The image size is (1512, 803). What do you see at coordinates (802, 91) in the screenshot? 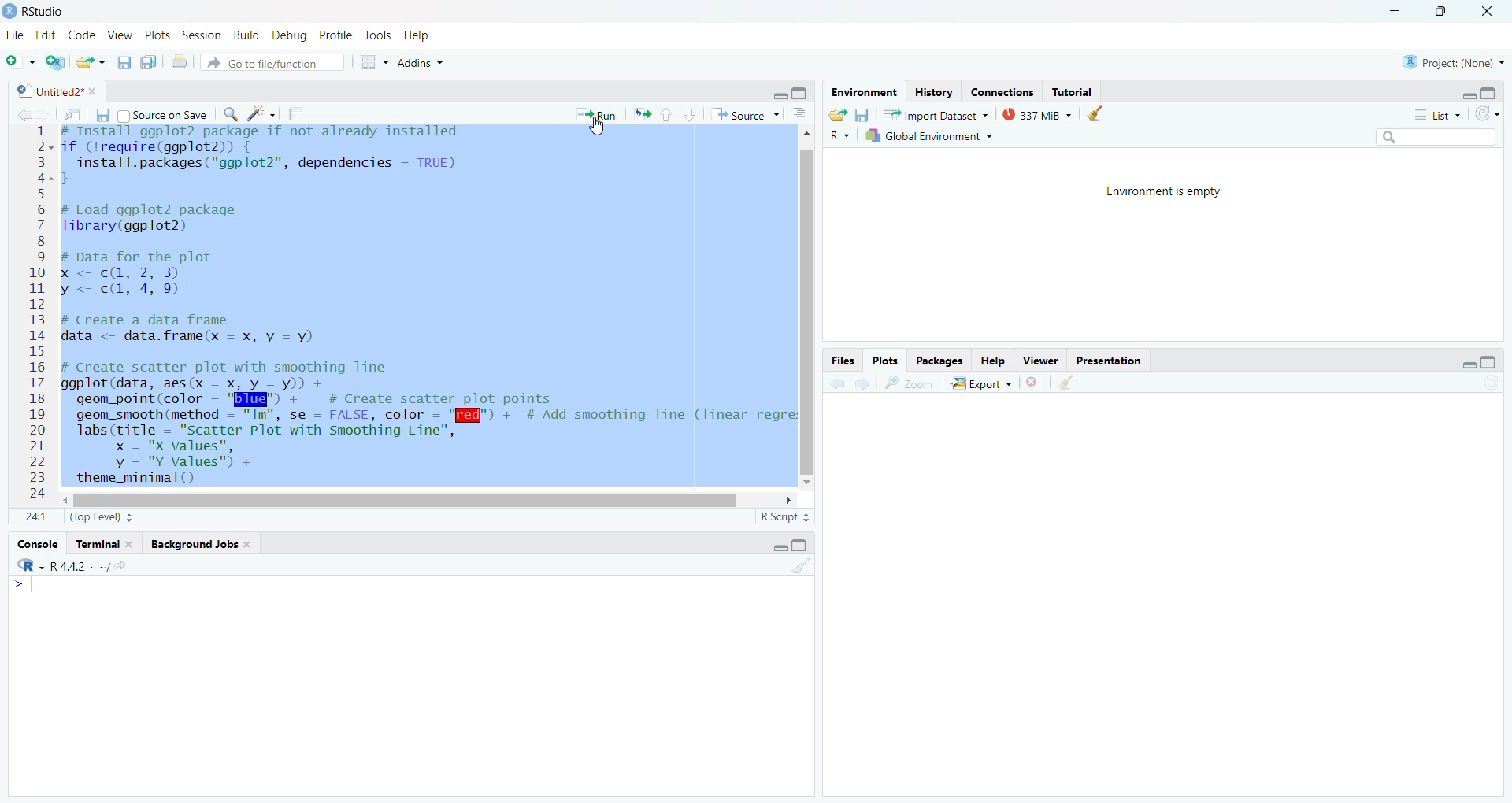
I see `hide console` at bounding box center [802, 91].